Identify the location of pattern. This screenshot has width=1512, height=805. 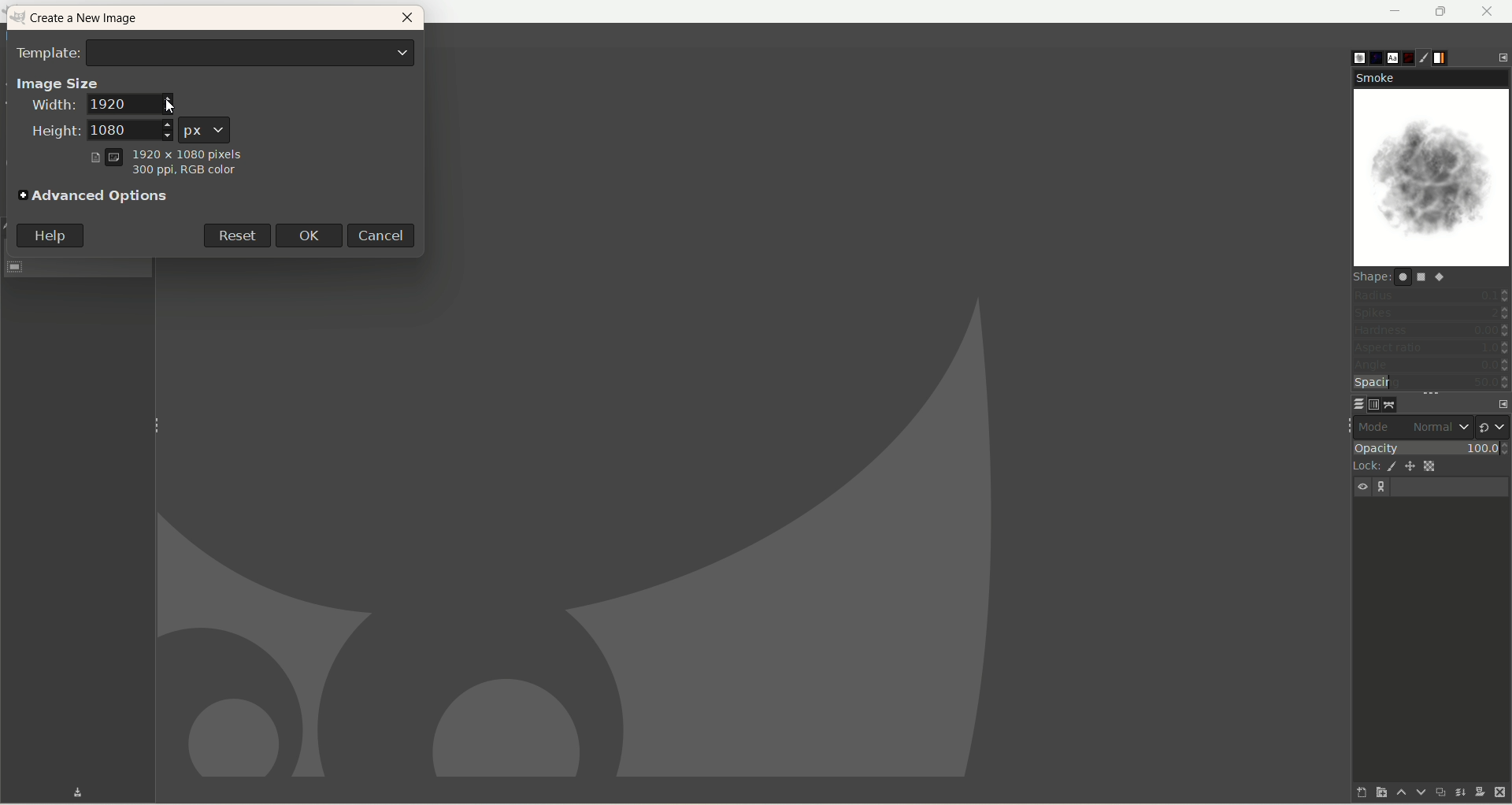
(1369, 57).